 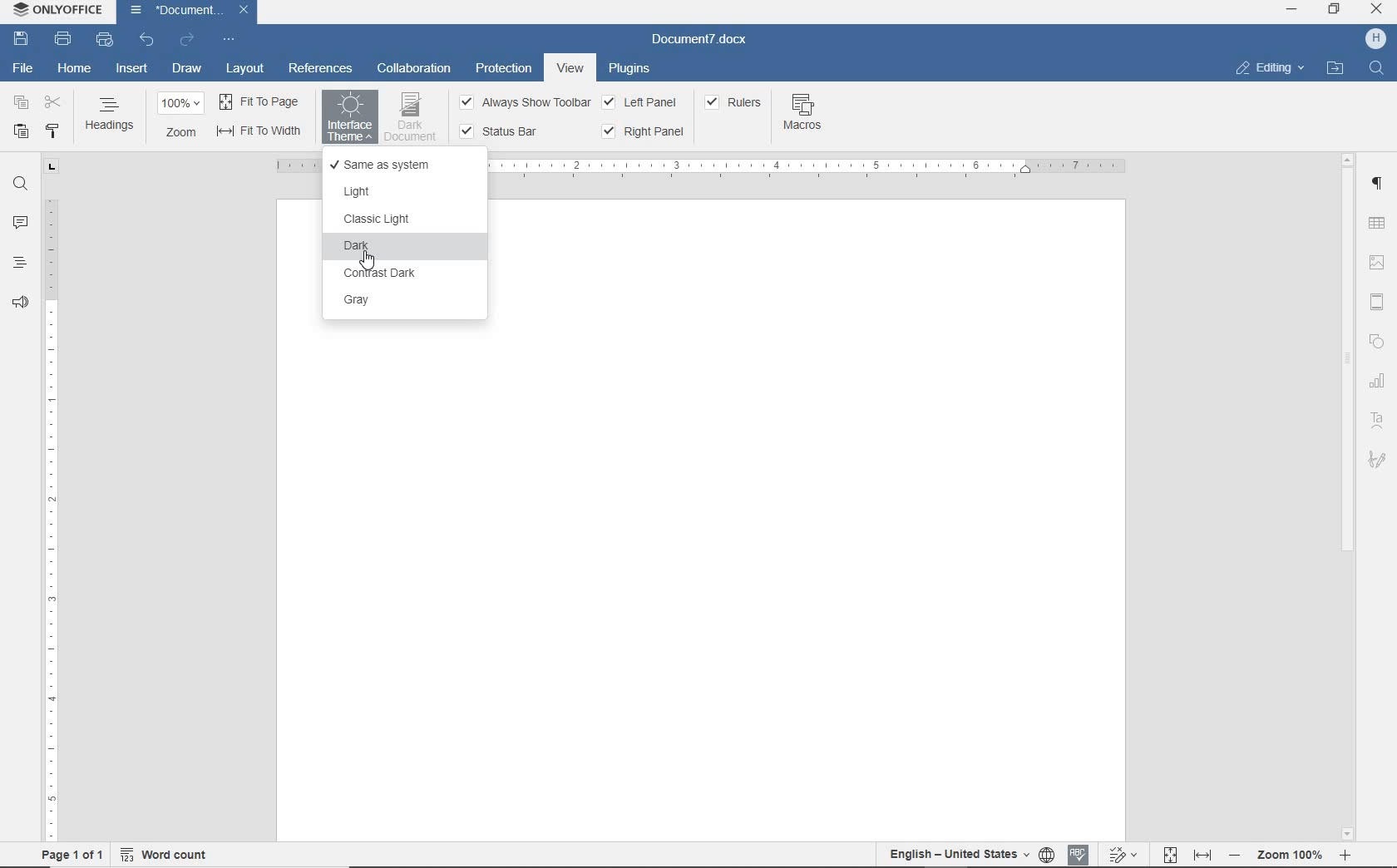 I want to click on PAGE 1 OF 1, so click(x=72, y=853).